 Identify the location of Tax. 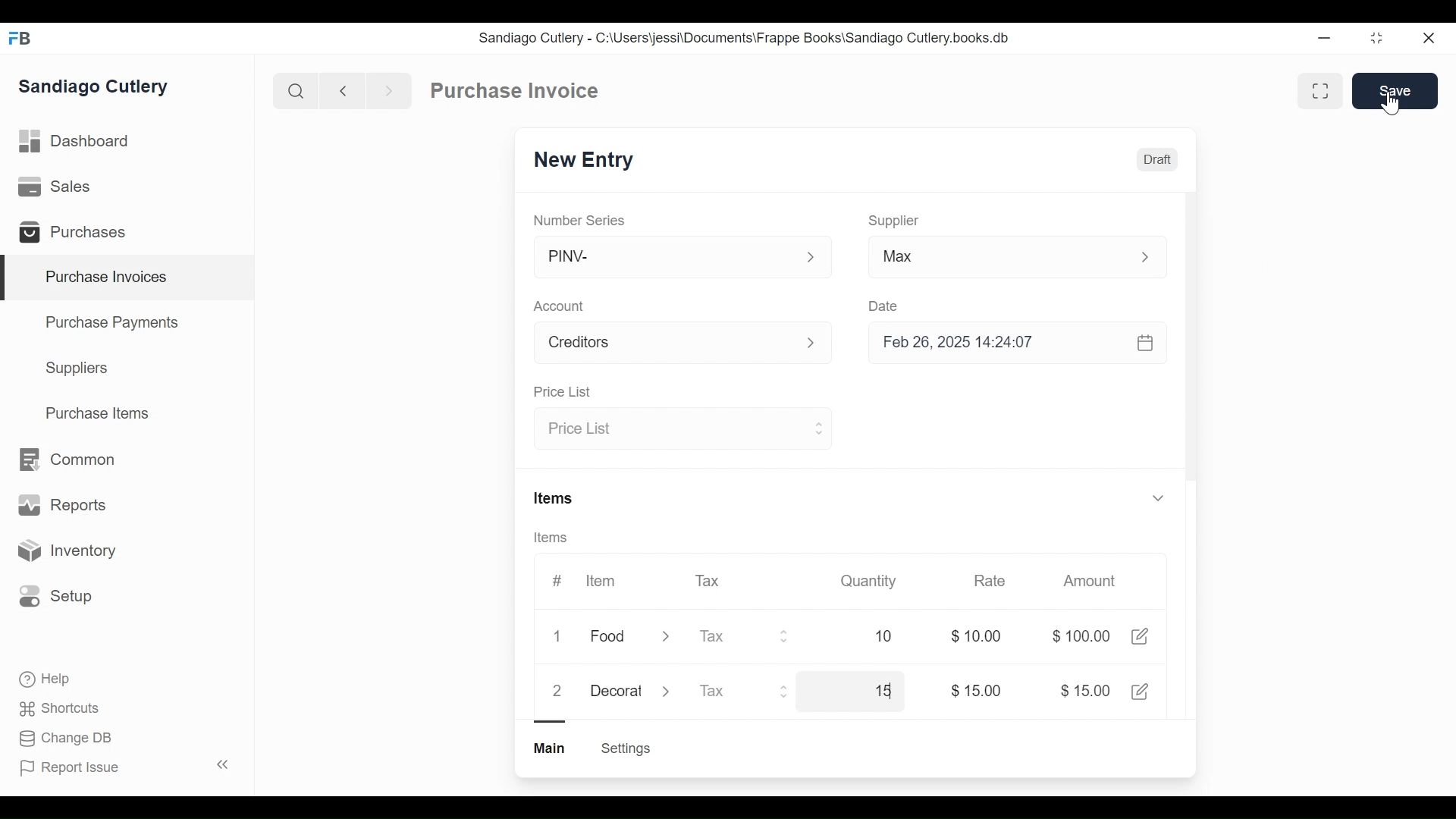
(710, 579).